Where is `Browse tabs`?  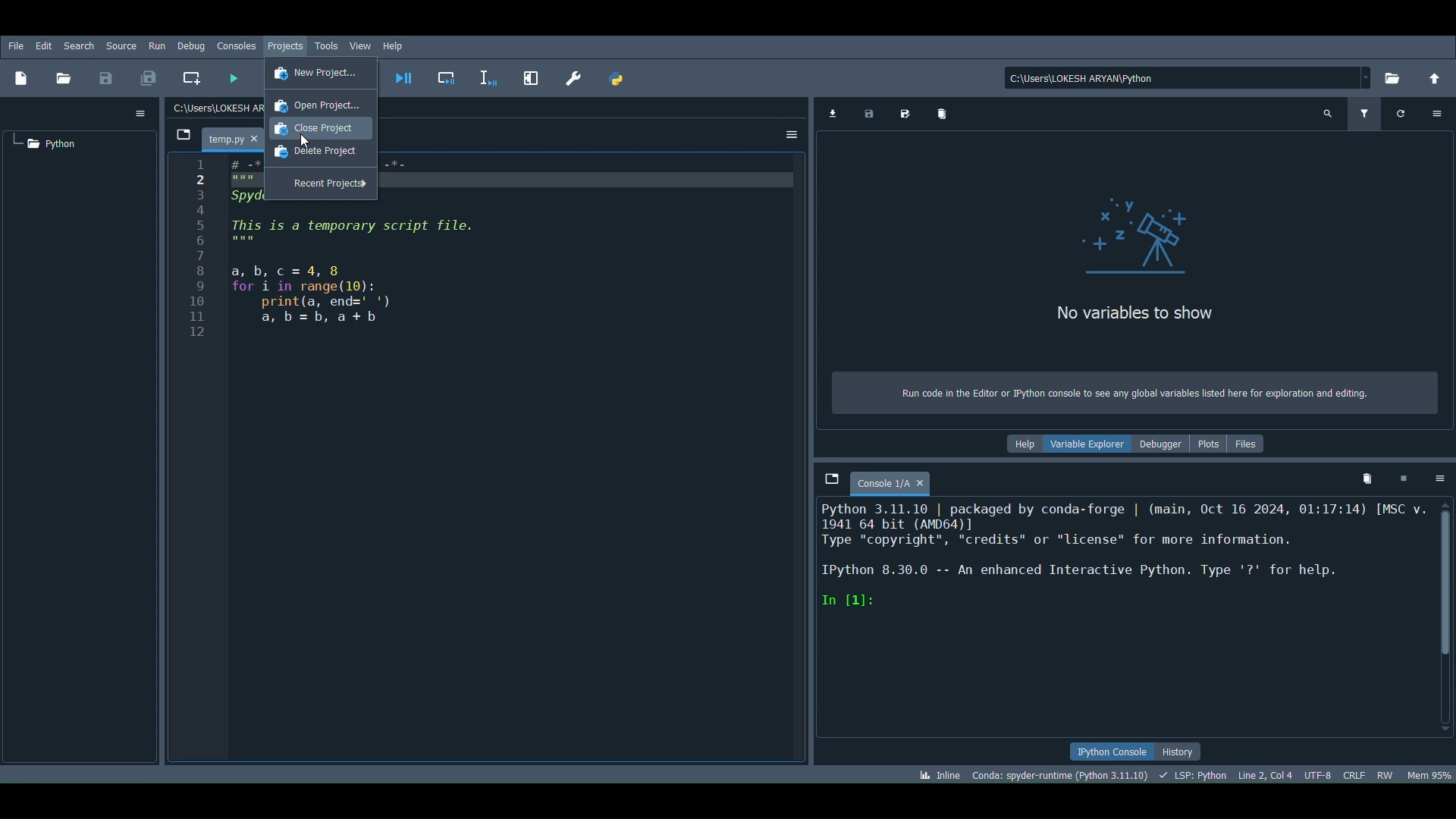
Browse tabs is located at coordinates (828, 482).